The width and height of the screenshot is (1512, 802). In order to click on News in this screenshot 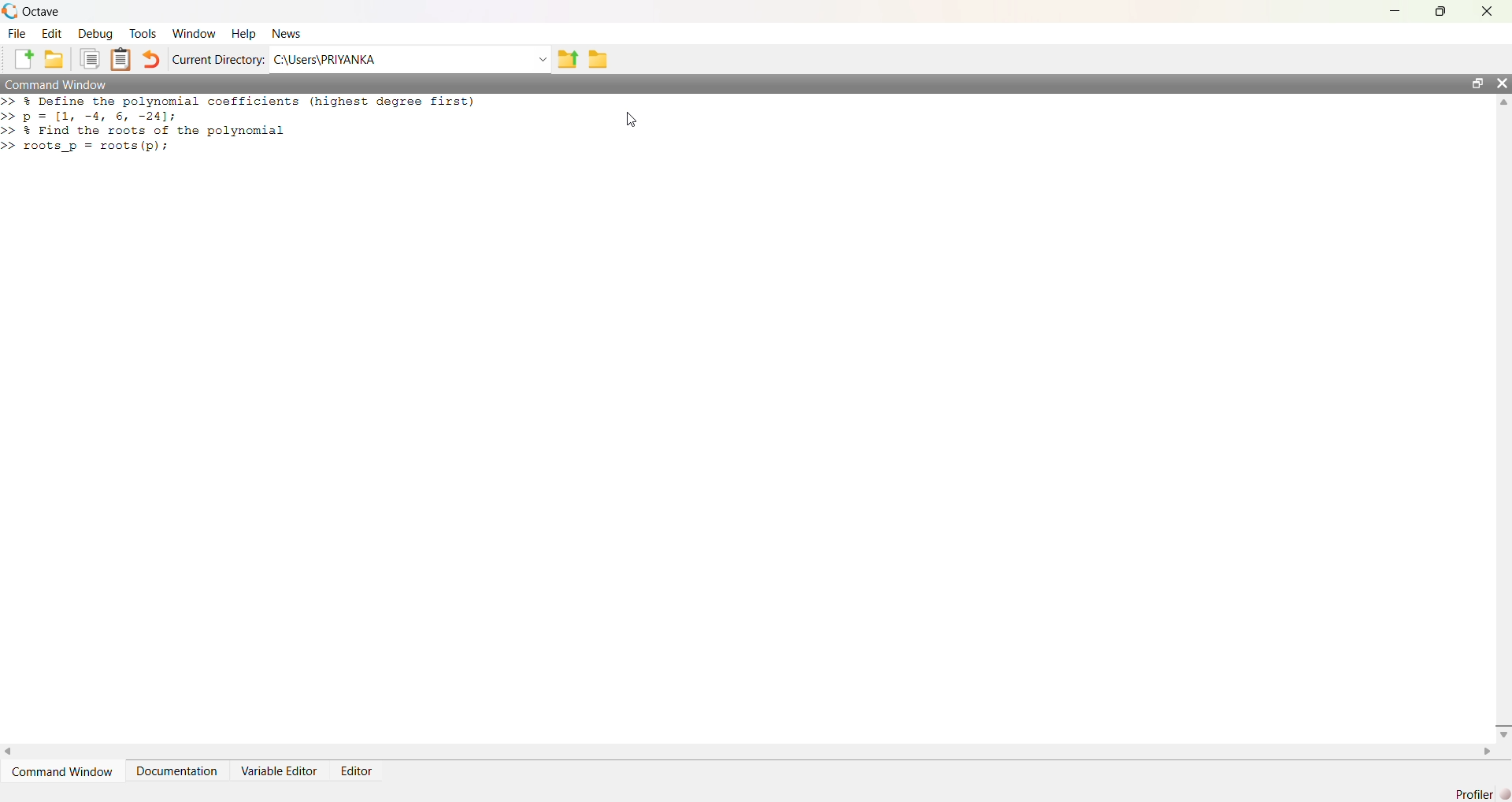, I will do `click(290, 35)`.